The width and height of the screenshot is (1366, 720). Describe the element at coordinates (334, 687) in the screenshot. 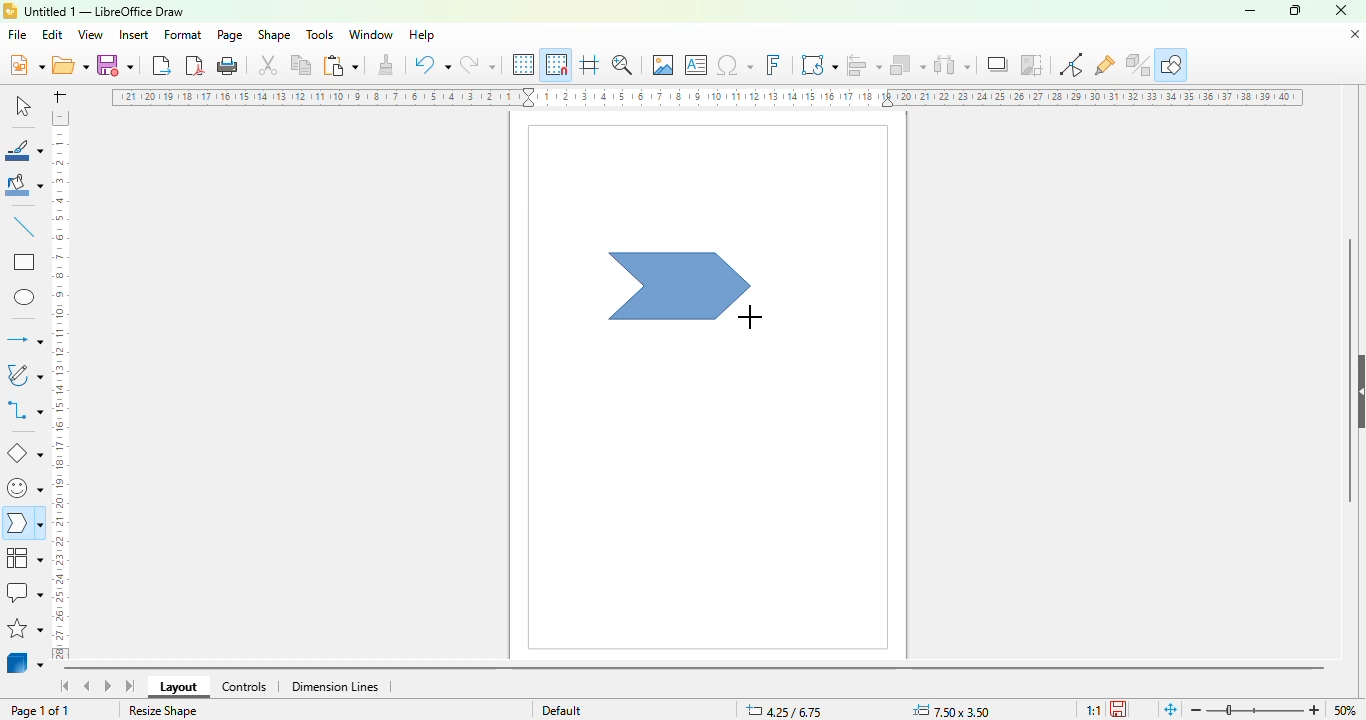

I see `dimension lines` at that location.